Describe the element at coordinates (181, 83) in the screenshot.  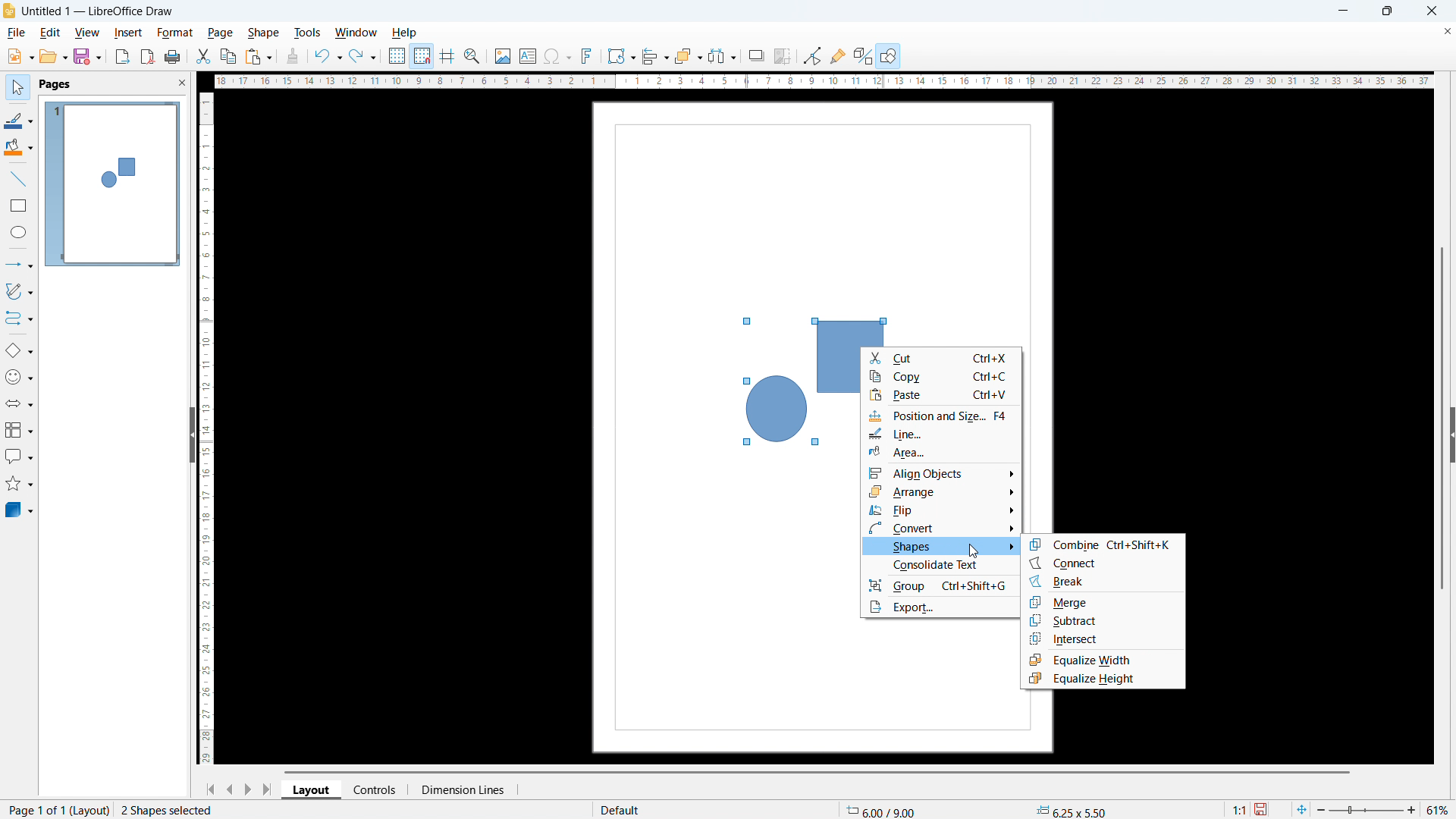
I see `close pane` at that location.